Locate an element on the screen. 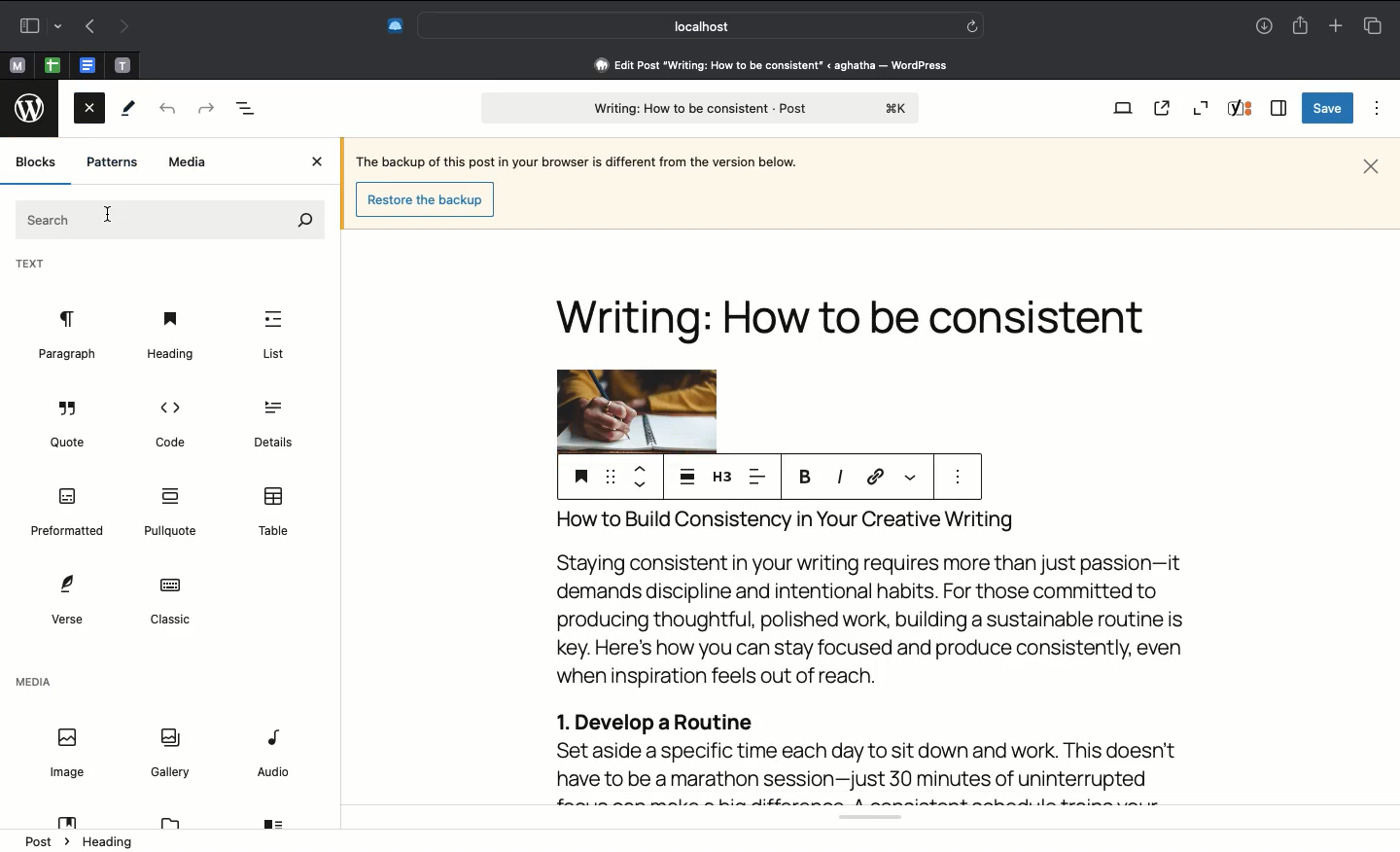 The image size is (1400, 852). Back is located at coordinates (165, 110).